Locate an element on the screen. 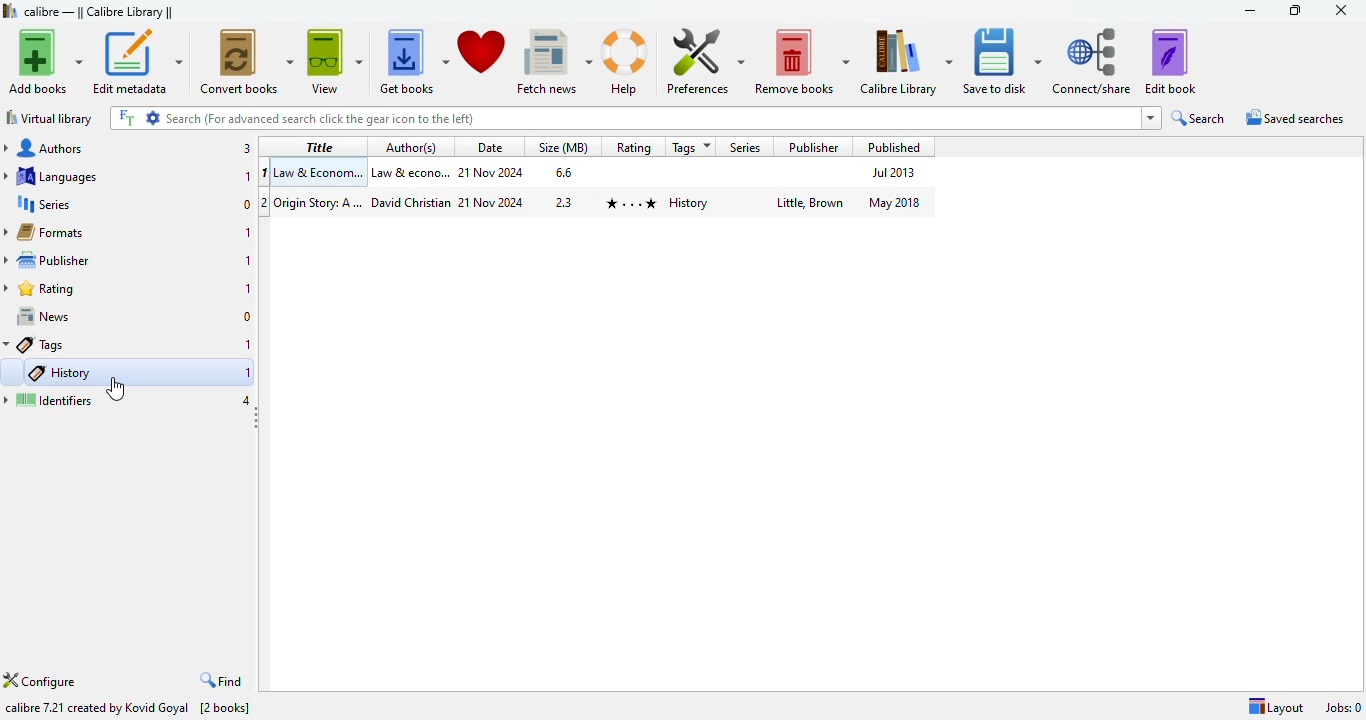 The height and width of the screenshot is (720, 1366). Rating is located at coordinates (633, 147).